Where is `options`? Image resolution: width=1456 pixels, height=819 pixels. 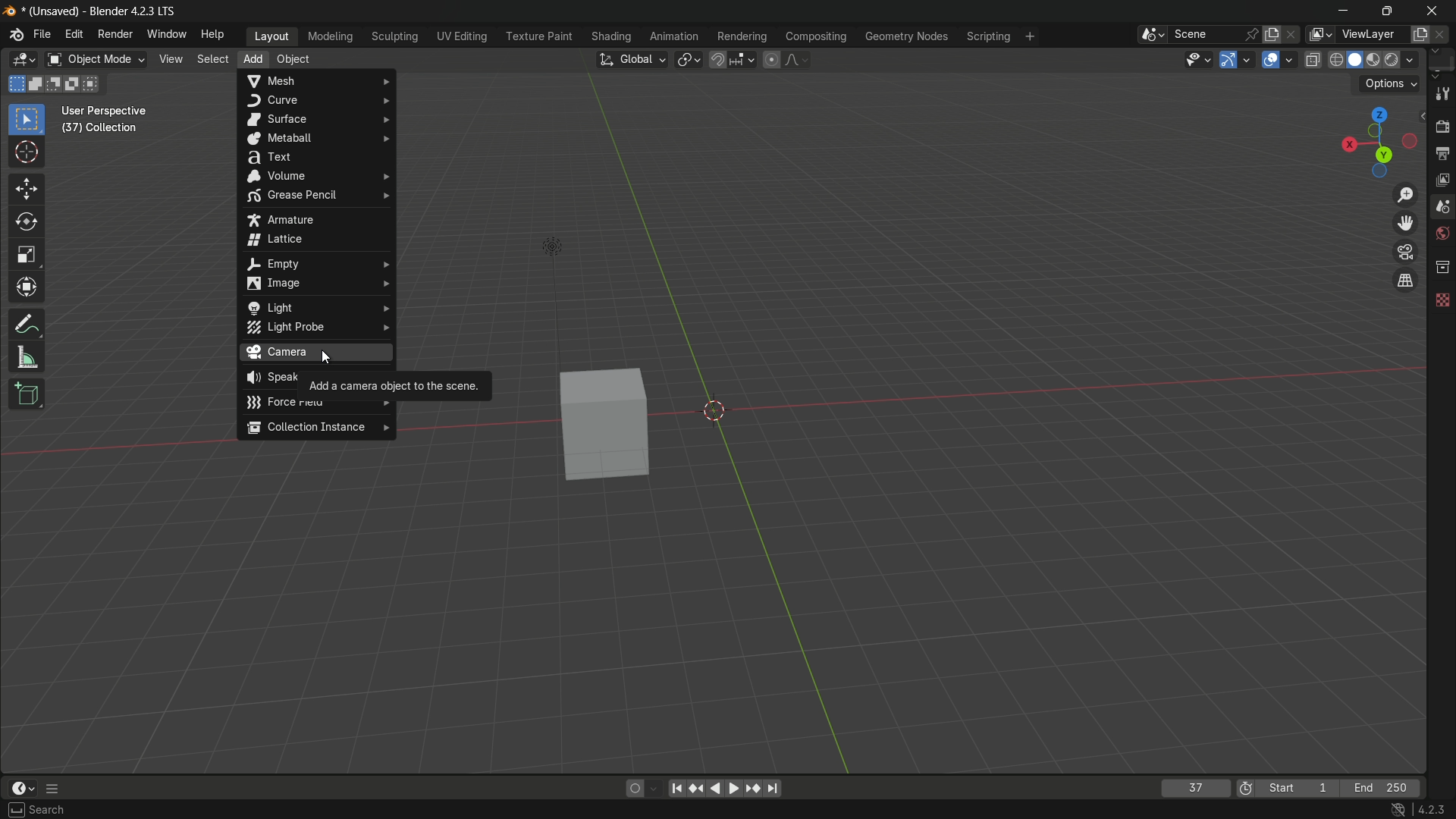
options is located at coordinates (1392, 83).